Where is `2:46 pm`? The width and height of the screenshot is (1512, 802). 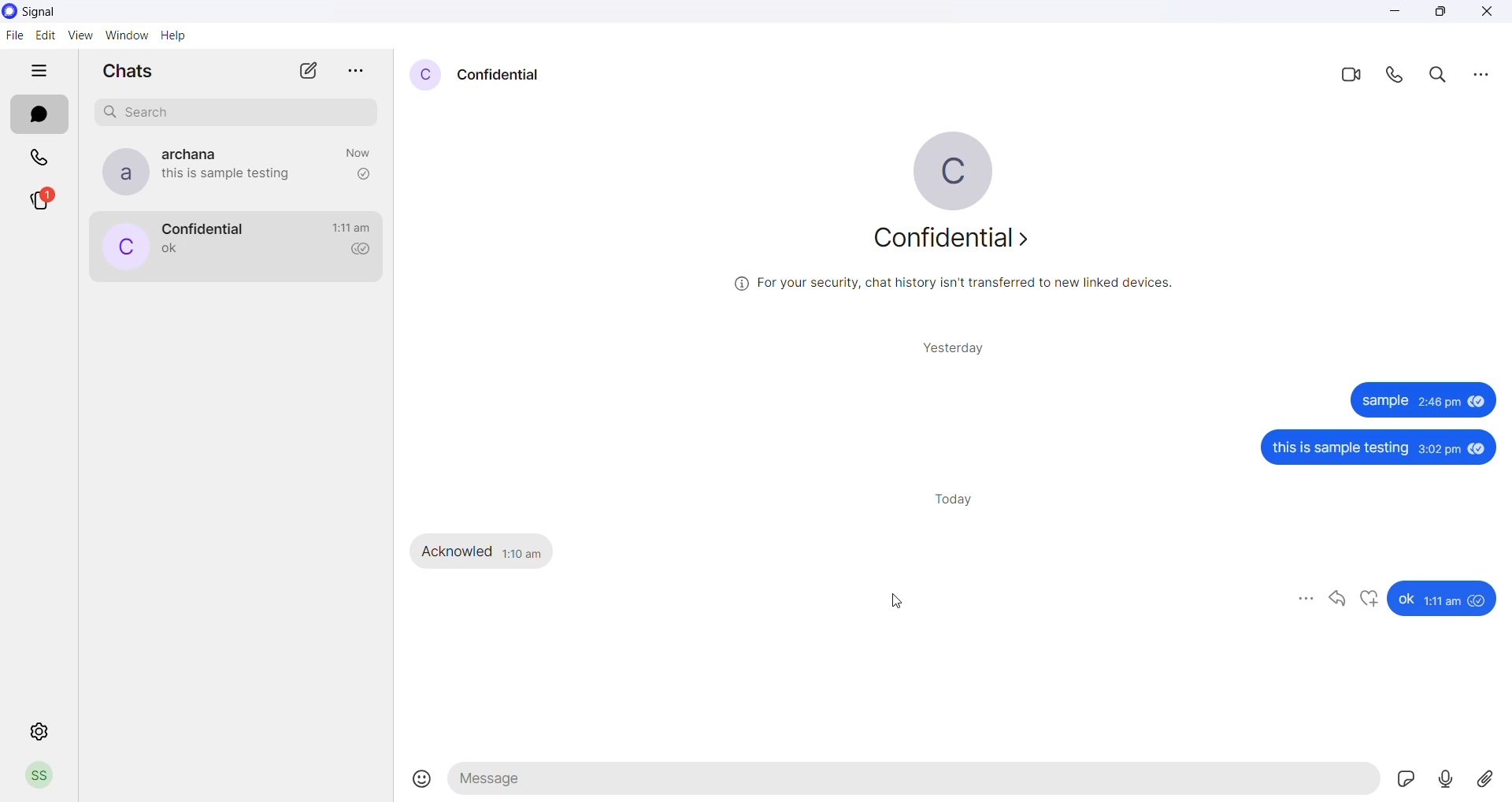
2:46 pm is located at coordinates (1438, 404).